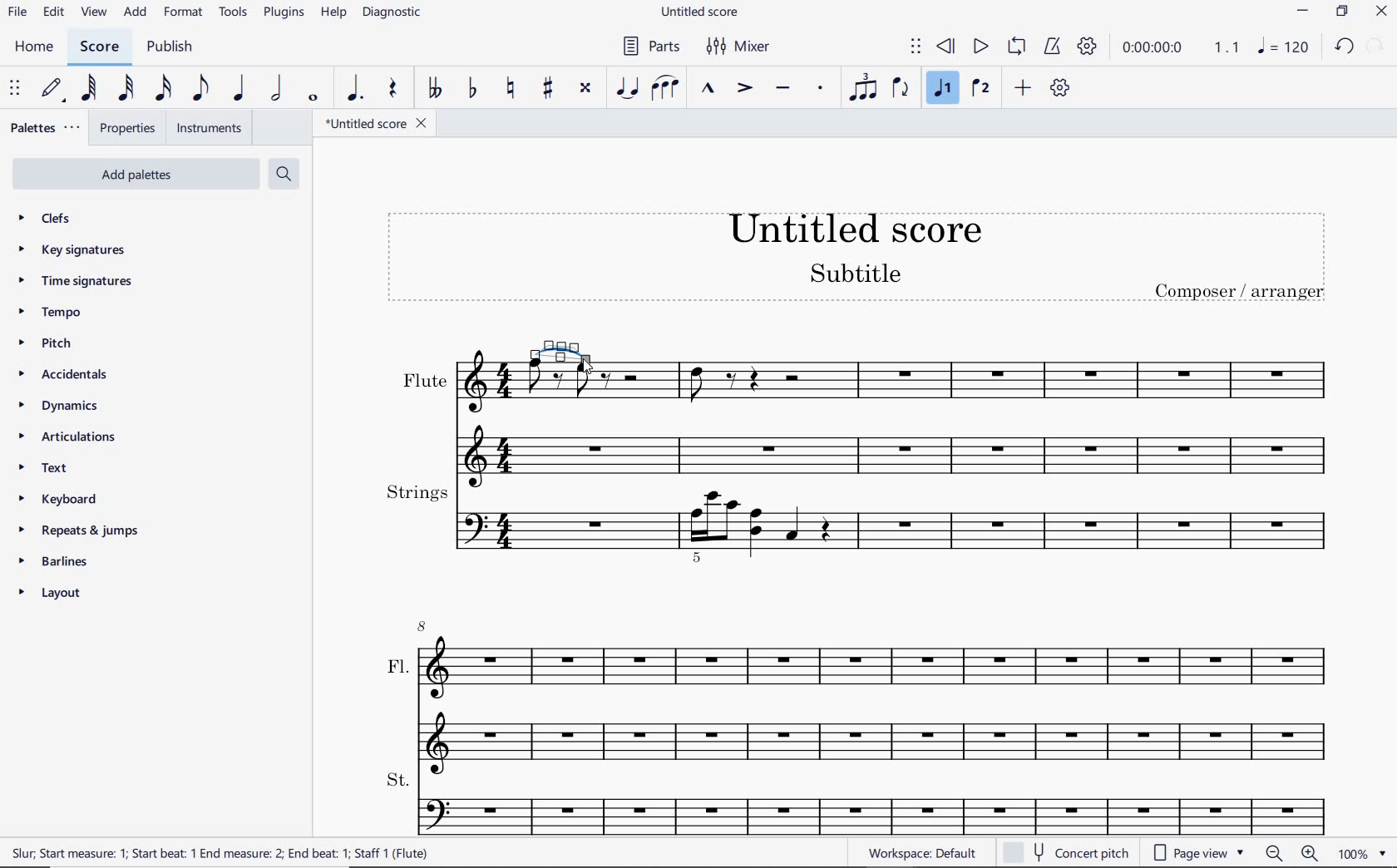 This screenshot has width=1397, height=868. Describe the element at coordinates (862, 90) in the screenshot. I see `TUPLET` at that location.